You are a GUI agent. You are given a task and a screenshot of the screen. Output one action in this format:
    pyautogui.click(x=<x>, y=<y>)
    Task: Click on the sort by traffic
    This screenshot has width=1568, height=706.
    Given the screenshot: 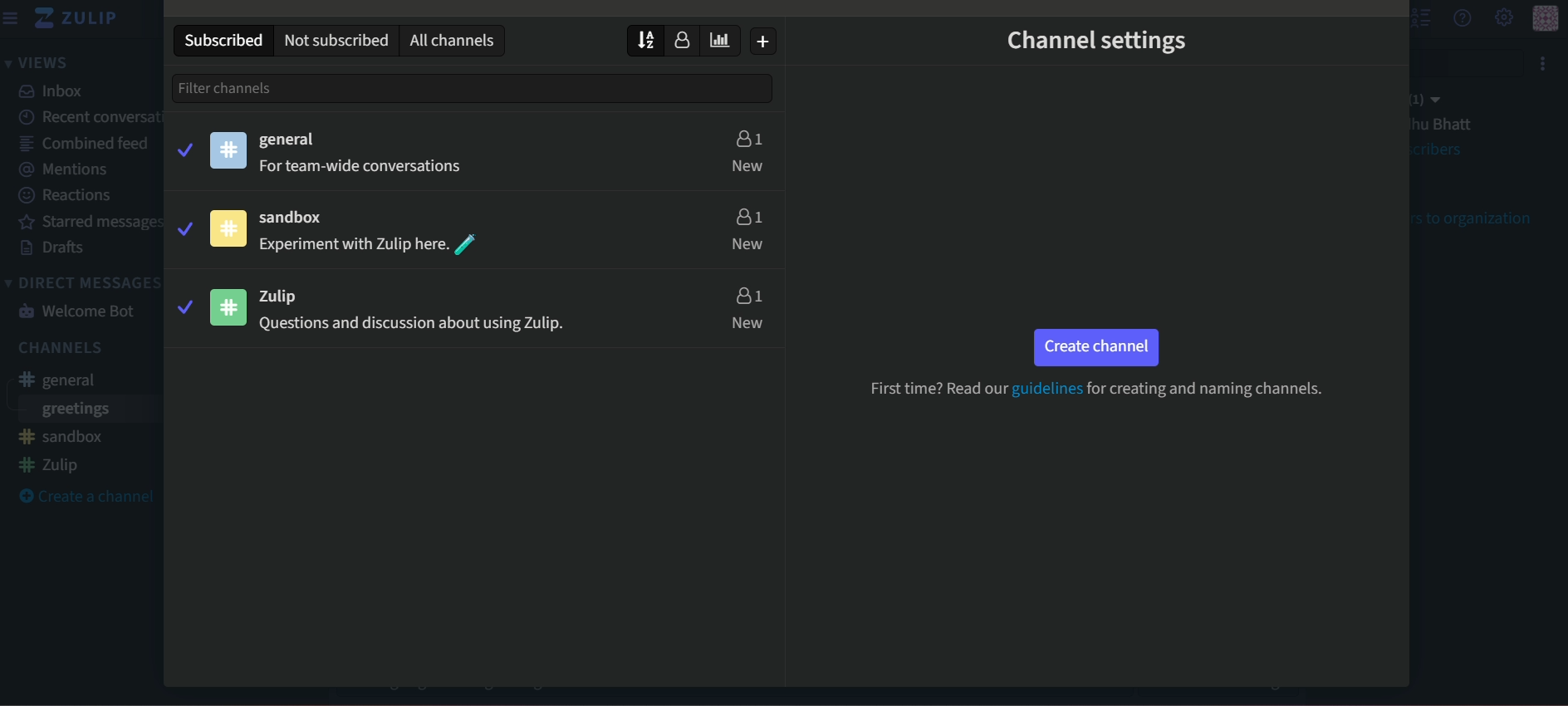 What is the action you would take?
    pyautogui.click(x=720, y=40)
    